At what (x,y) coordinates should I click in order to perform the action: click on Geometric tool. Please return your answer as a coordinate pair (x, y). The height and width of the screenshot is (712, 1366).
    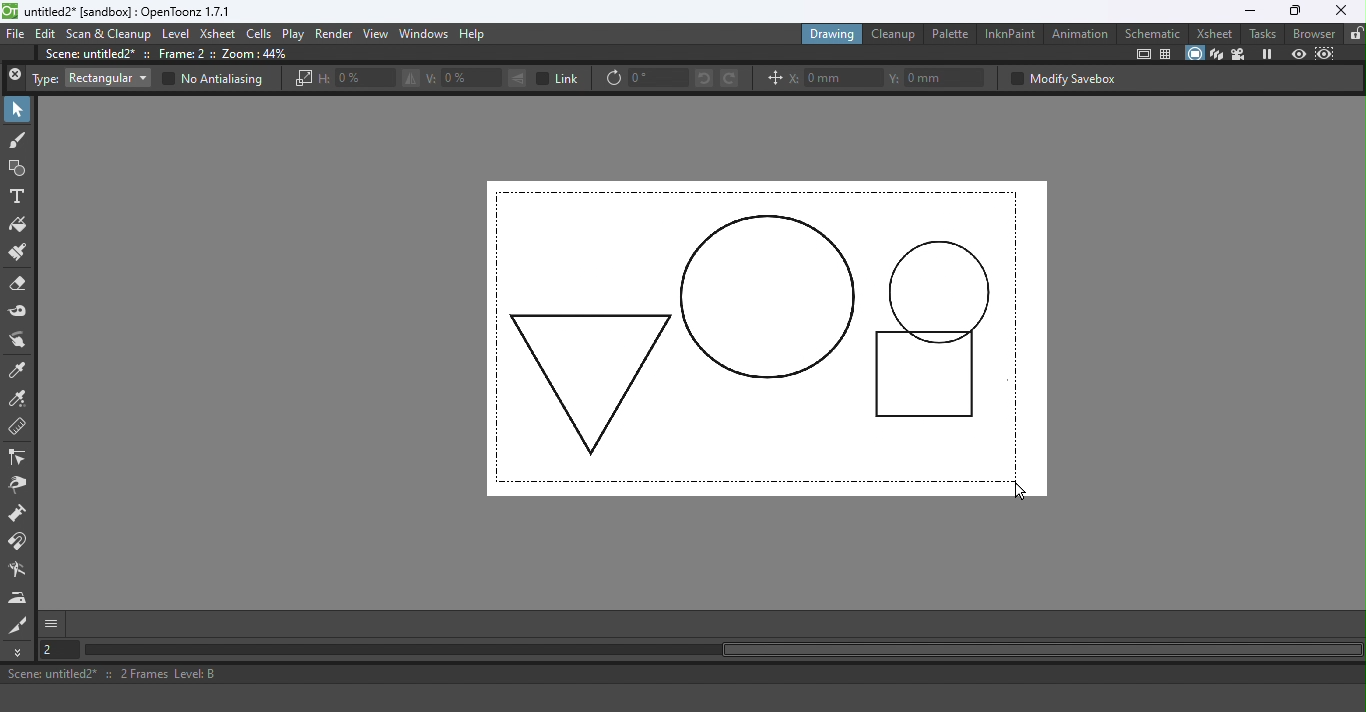
    Looking at the image, I should click on (18, 168).